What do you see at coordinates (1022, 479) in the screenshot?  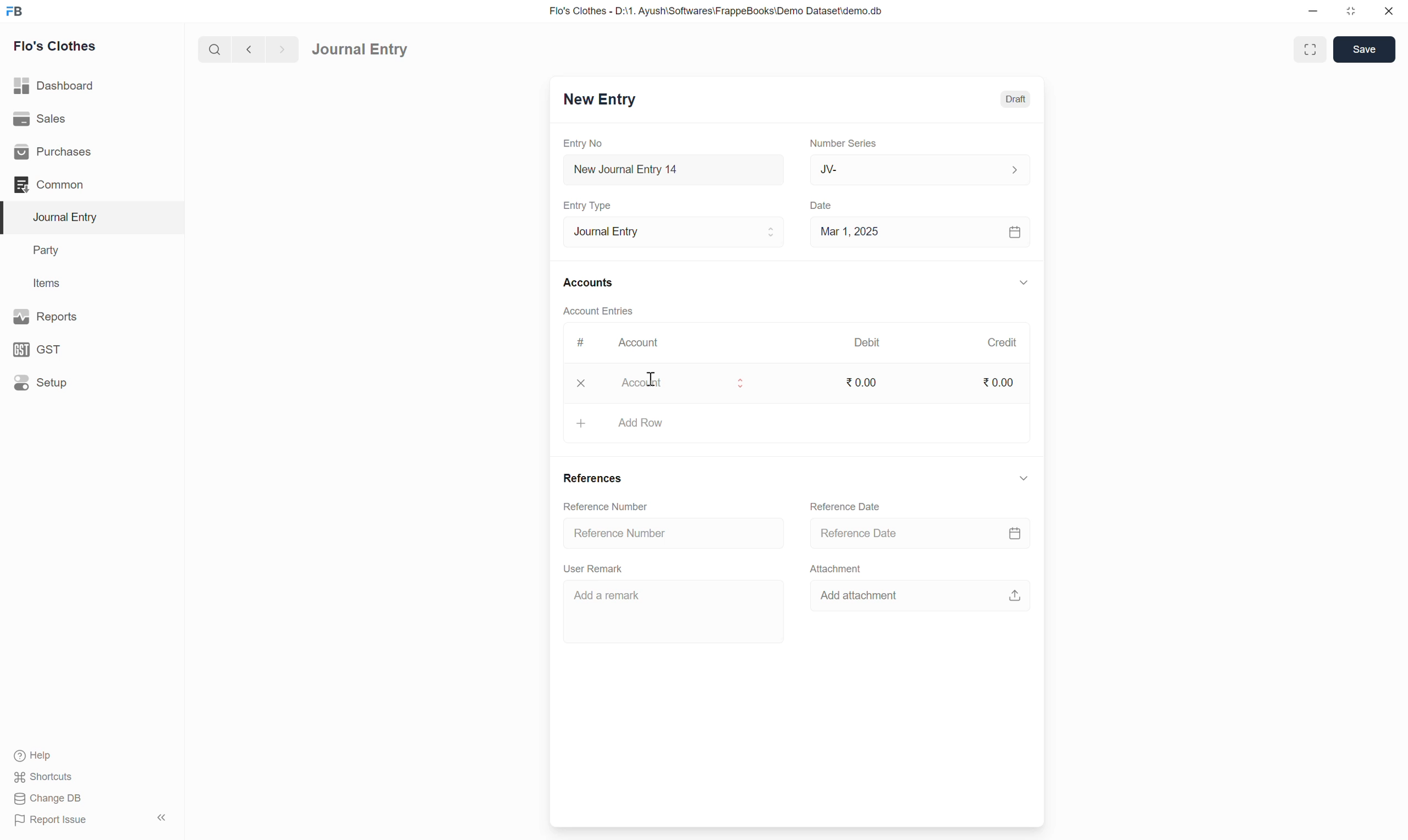 I see `down` at bounding box center [1022, 479].